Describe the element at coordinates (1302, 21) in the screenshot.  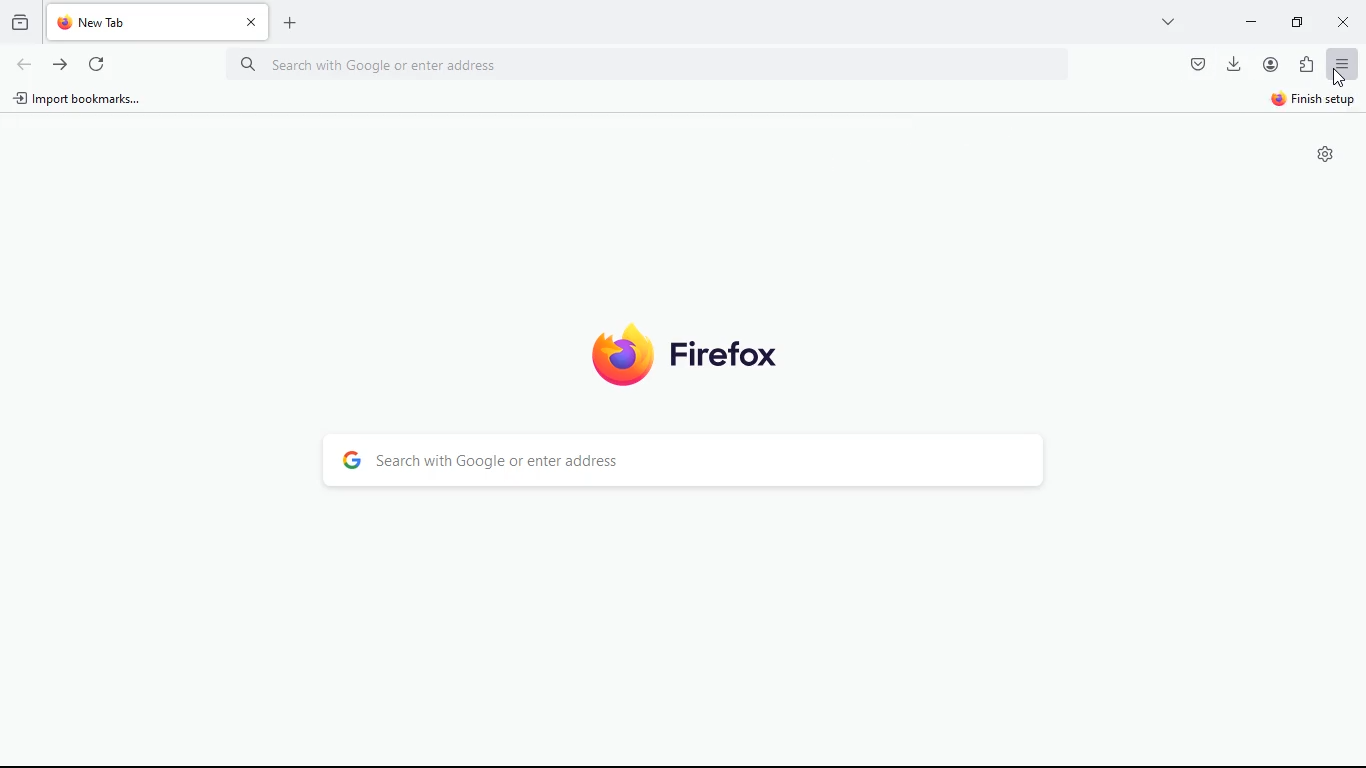
I see `minimize` at that location.